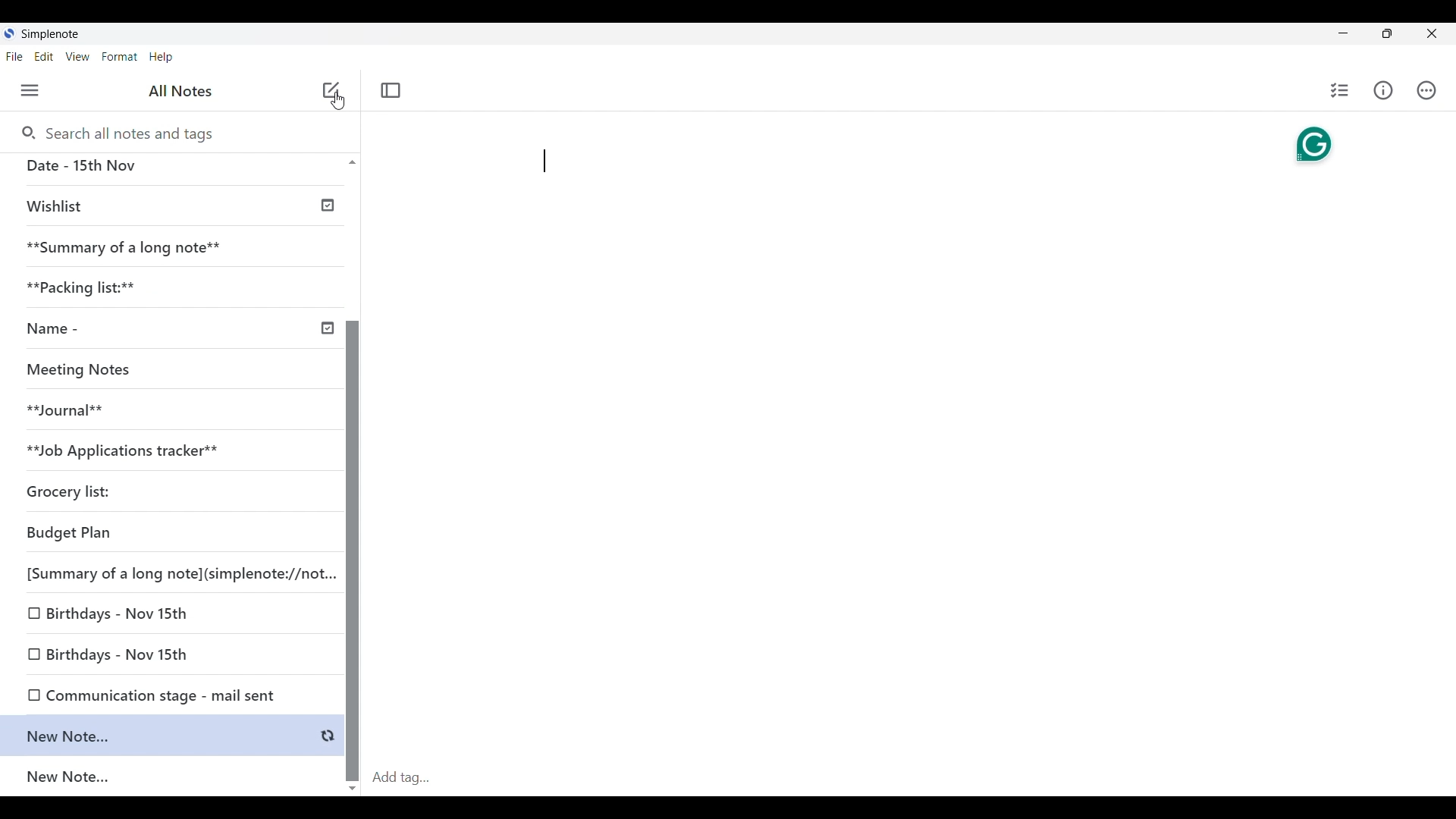 The width and height of the screenshot is (1456, 819). Describe the element at coordinates (171, 535) in the screenshot. I see `Budget Plan` at that location.